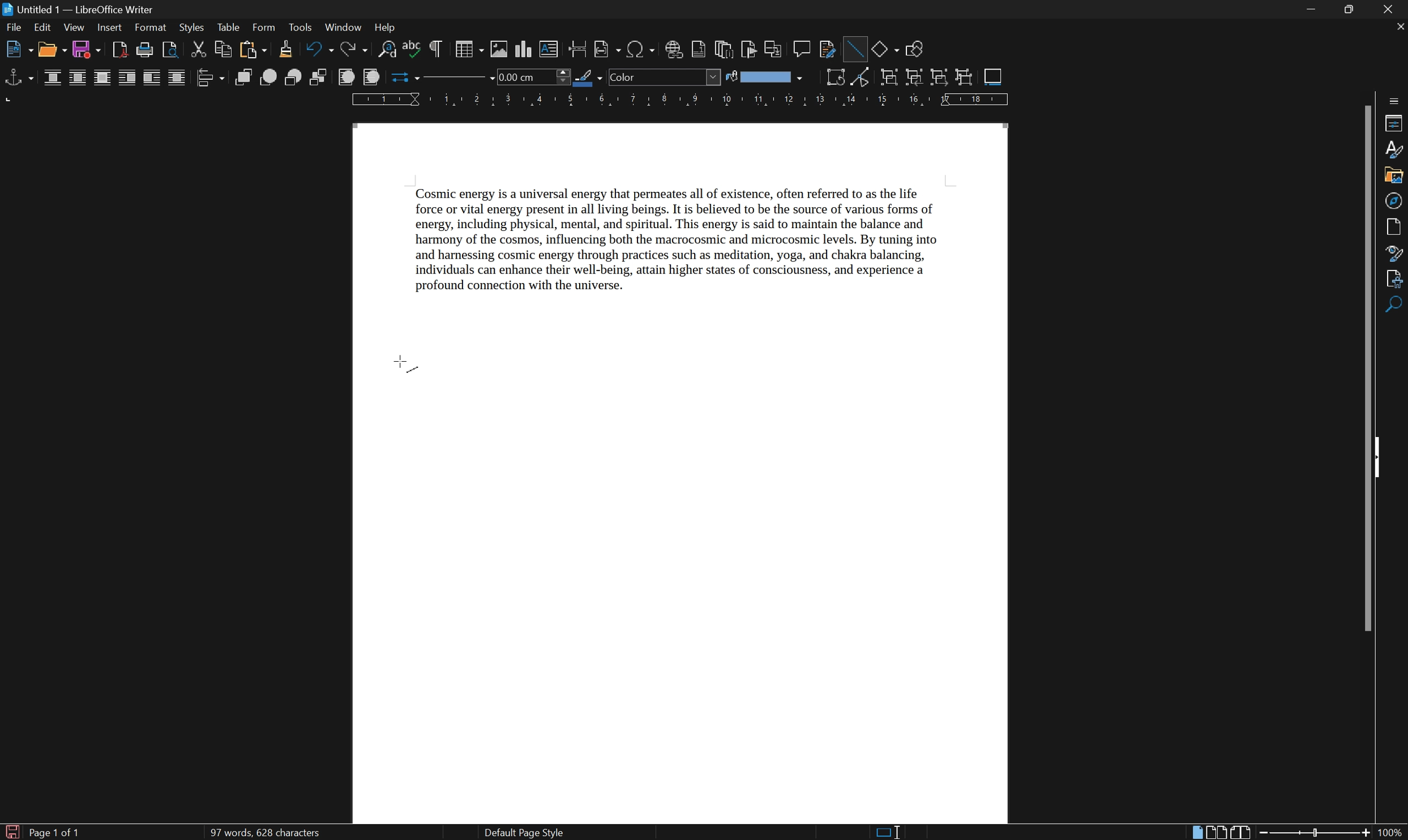  I want to click on manage changes, so click(1397, 279).